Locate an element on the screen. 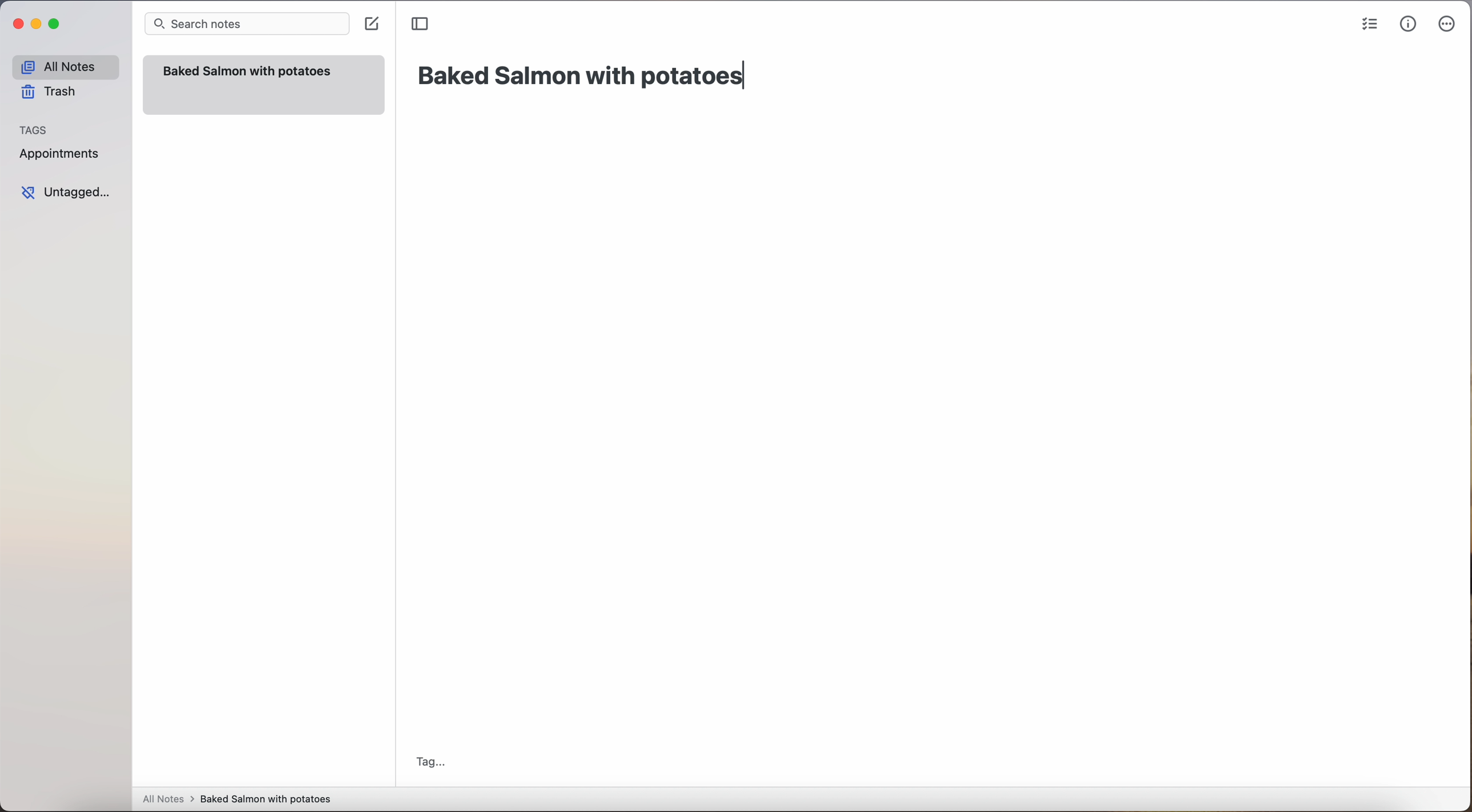  all notes is located at coordinates (65, 66).